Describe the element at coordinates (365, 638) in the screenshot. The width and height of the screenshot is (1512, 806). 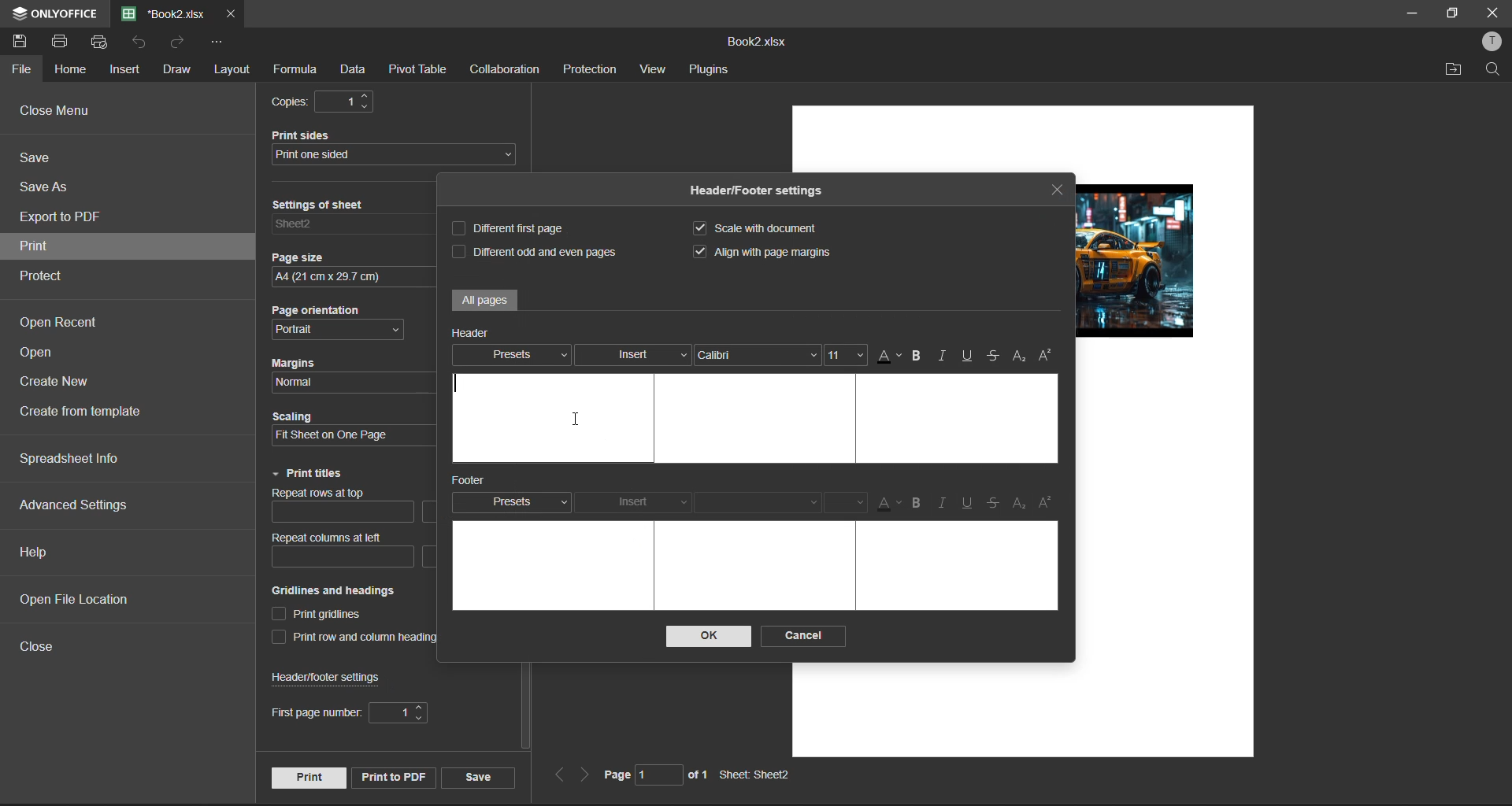
I see `print row and column headings` at that location.